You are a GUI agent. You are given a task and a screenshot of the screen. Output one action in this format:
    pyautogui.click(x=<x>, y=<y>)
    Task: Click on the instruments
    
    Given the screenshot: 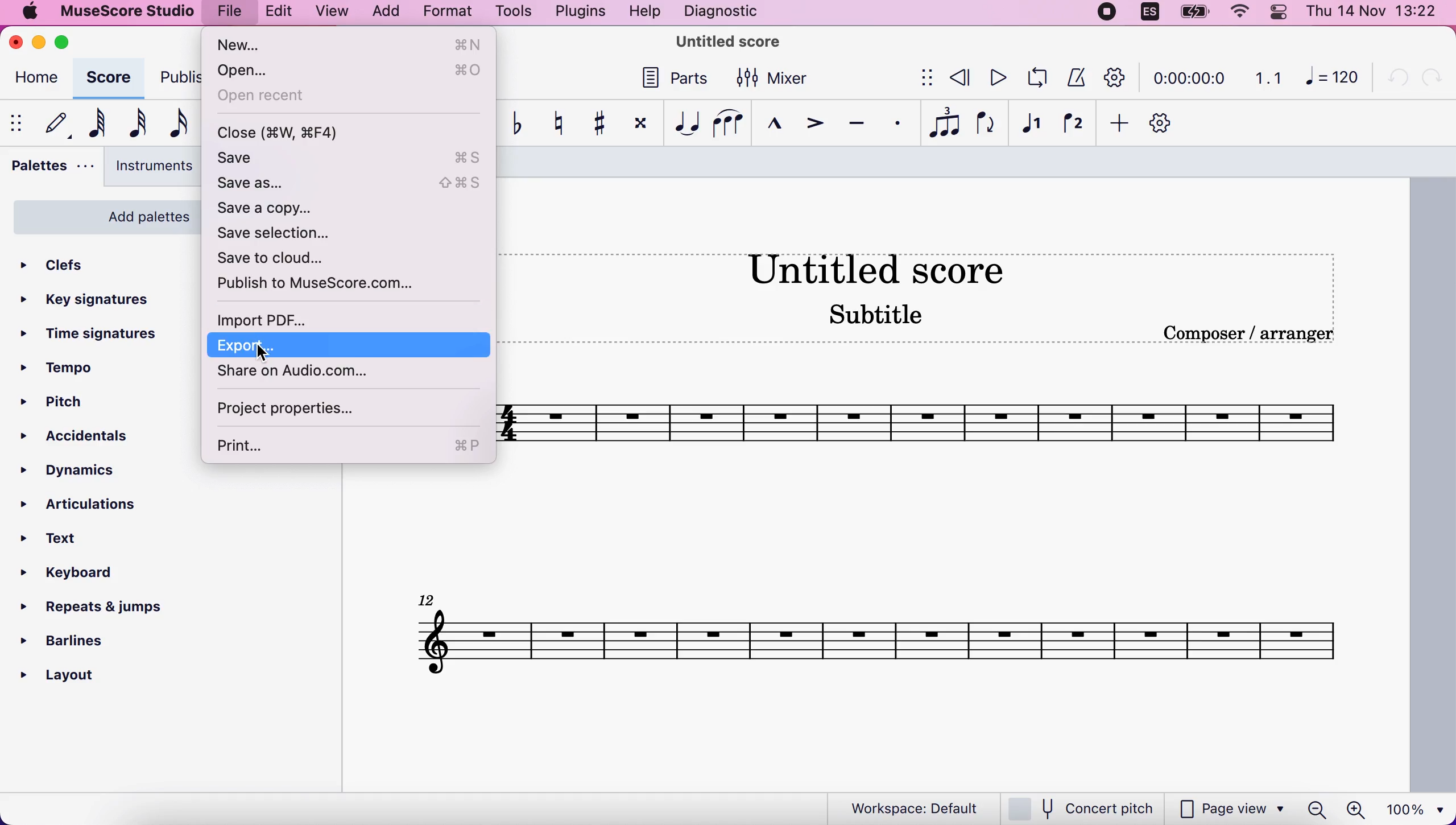 What is the action you would take?
    pyautogui.click(x=149, y=167)
    